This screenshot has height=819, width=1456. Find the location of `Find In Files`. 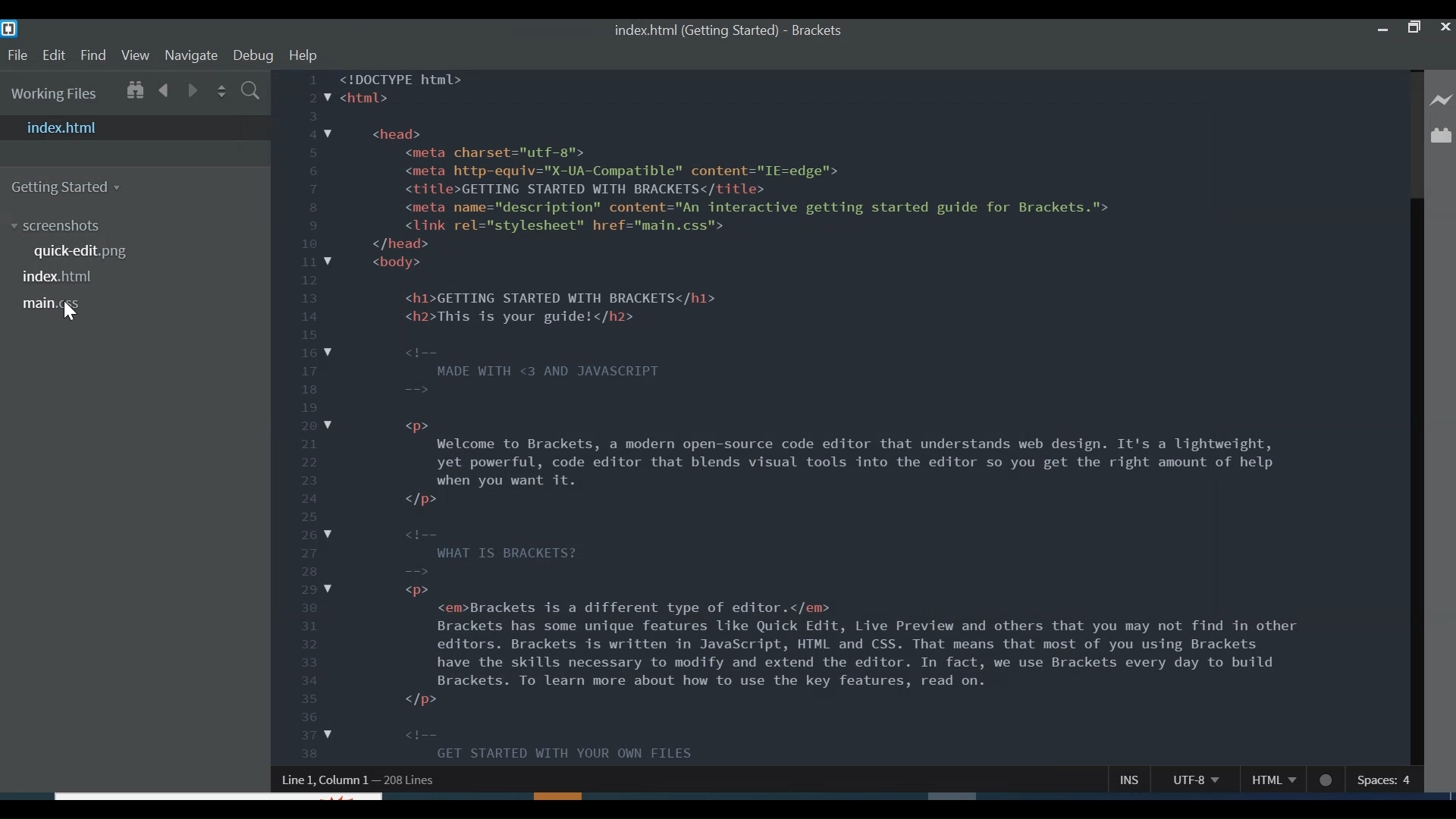

Find In Files is located at coordinates (253, 92).